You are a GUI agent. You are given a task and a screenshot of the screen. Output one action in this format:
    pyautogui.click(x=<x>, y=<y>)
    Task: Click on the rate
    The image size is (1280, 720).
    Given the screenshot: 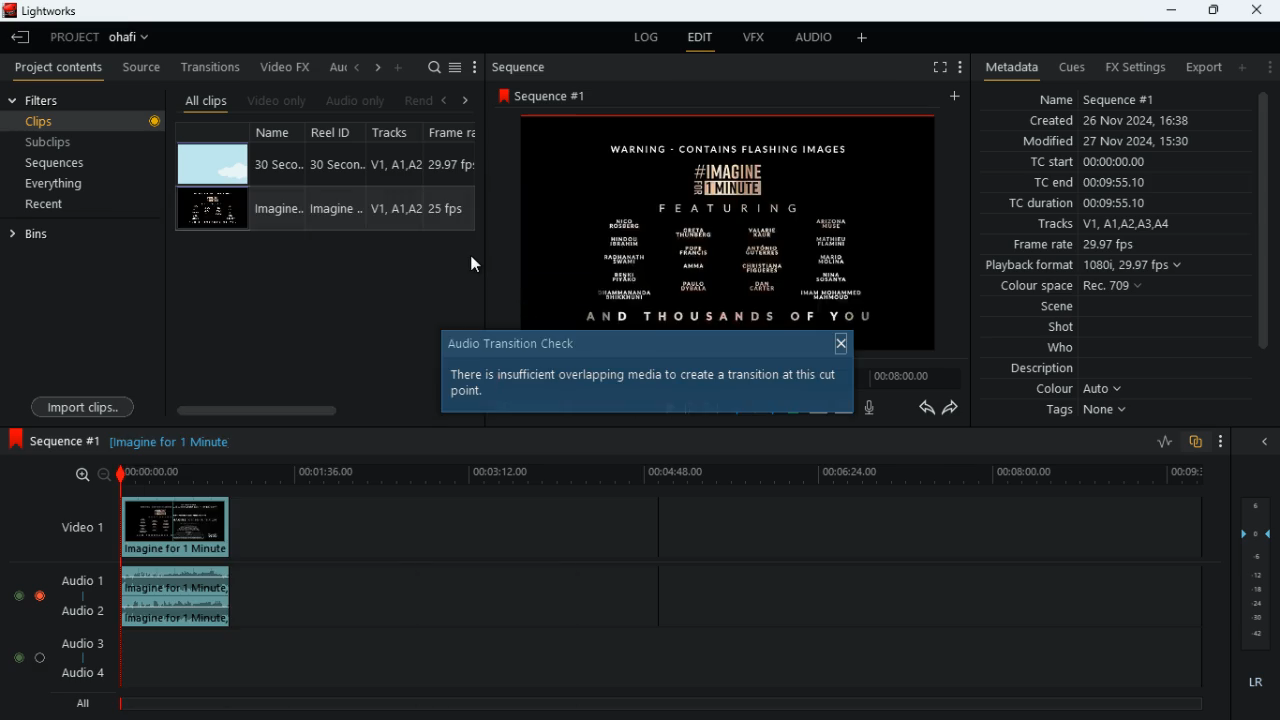 What is the action you would take?
    pyautogui.click(x=1158, y=442)
    